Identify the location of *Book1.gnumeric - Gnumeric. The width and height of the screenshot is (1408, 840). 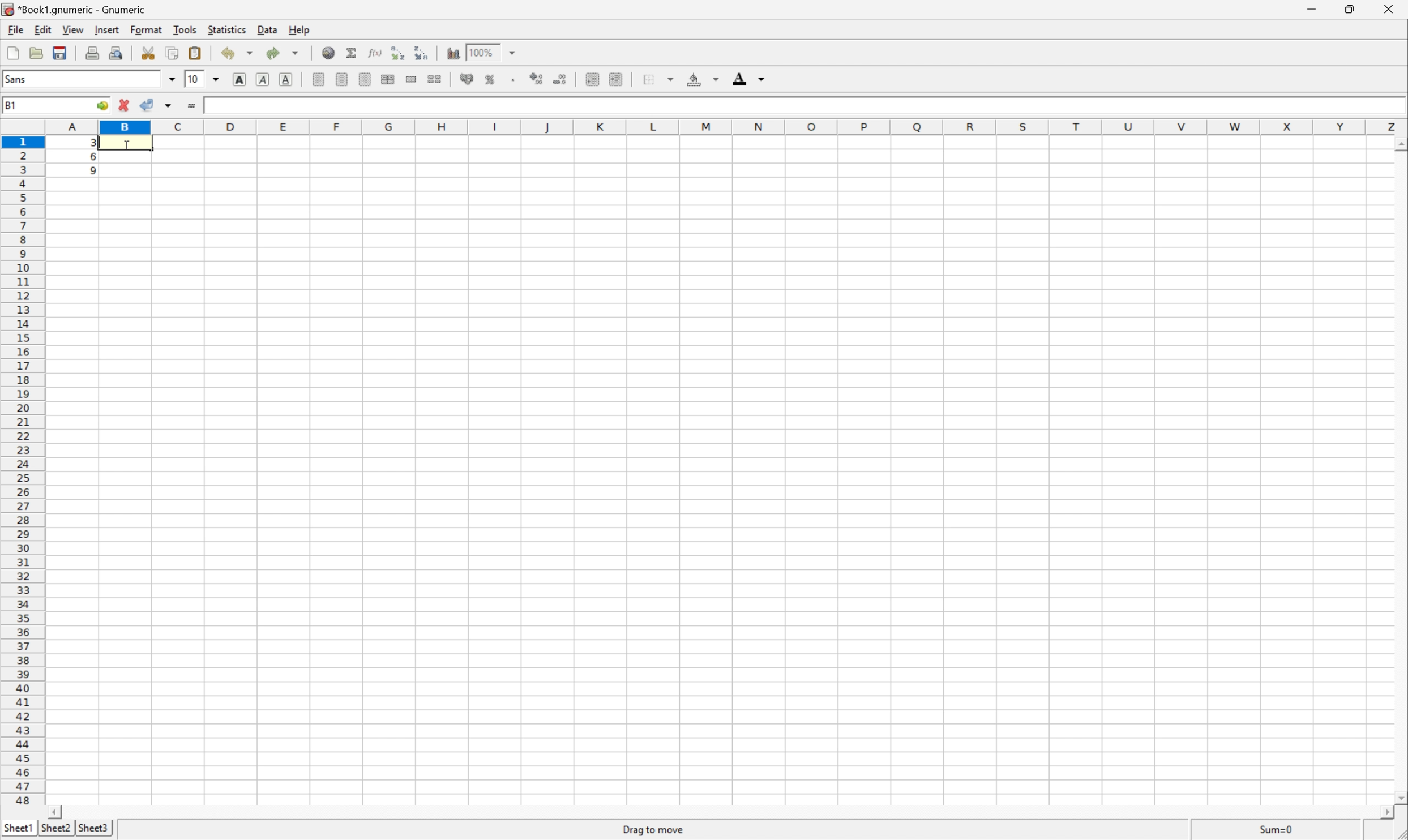
(76, 10).